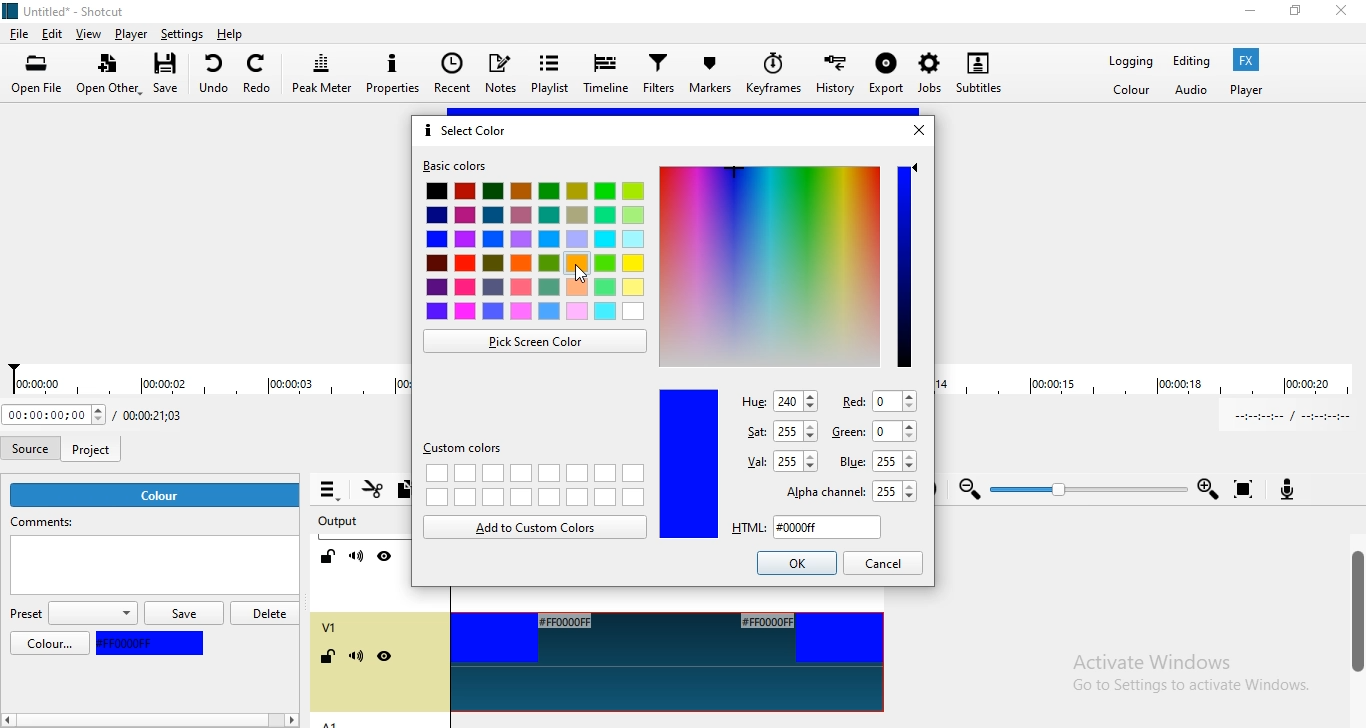 Image resolution: width=1366 pixels, height=728 pixels. Describe the element at coordinates (132, 34) in the screenshot. I see `Player` at that location.